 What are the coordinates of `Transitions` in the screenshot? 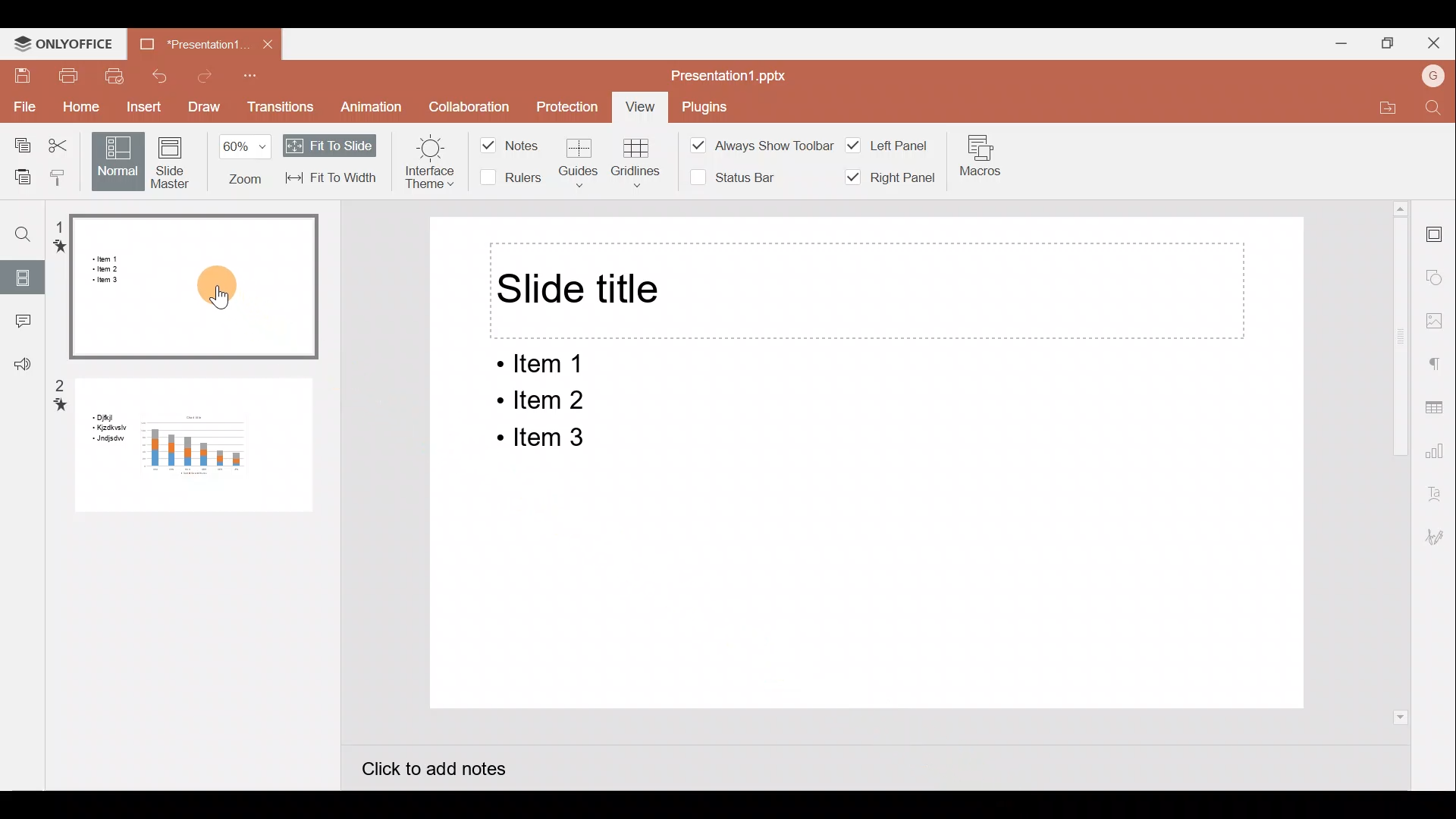 It's located at (279, 108).